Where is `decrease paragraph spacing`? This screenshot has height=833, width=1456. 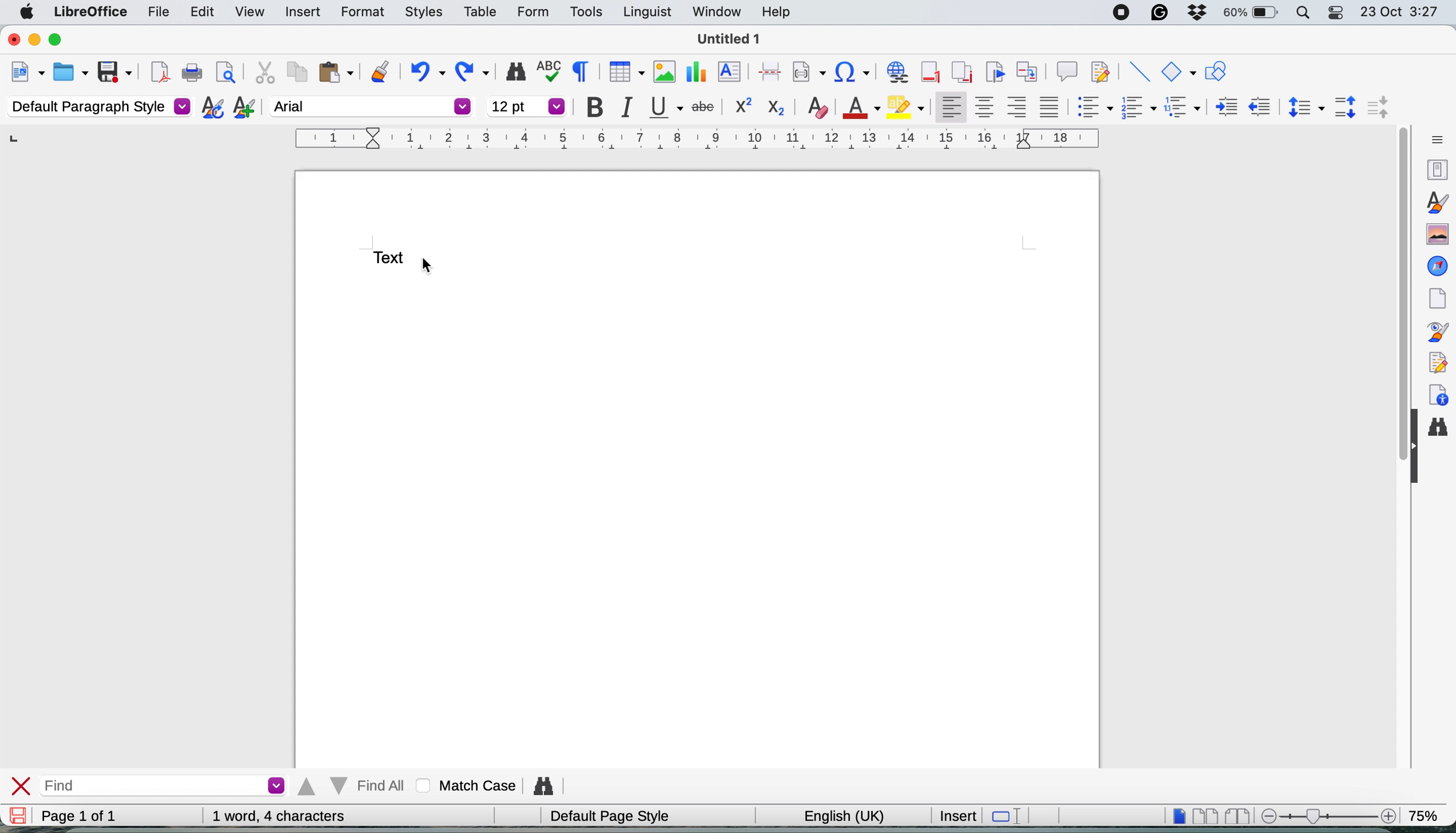 decrease paragraph spacing is located at coordinates (1380, 108).